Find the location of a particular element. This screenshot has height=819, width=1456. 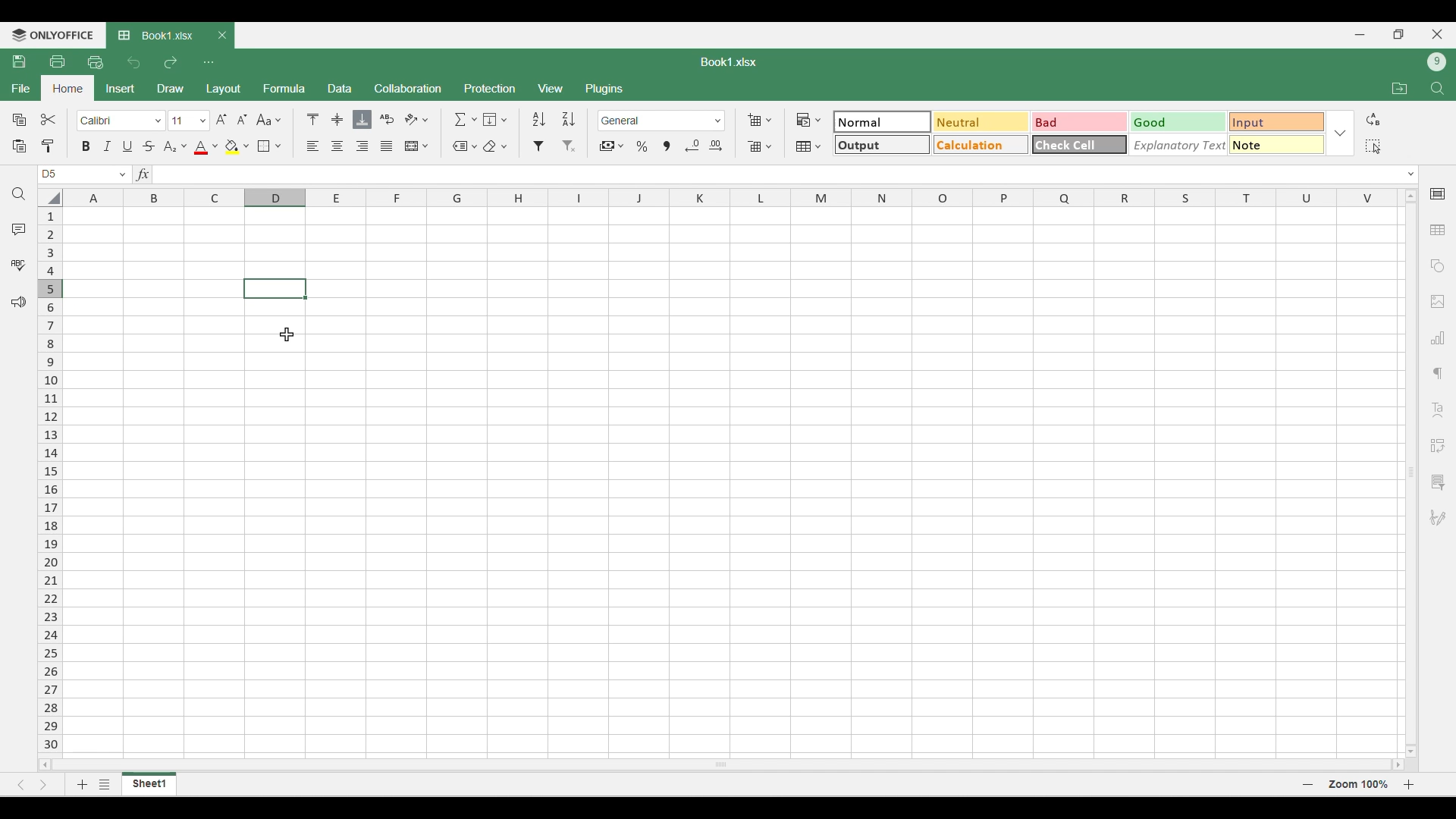

Expand type space is located at coordinates (1411, 174).